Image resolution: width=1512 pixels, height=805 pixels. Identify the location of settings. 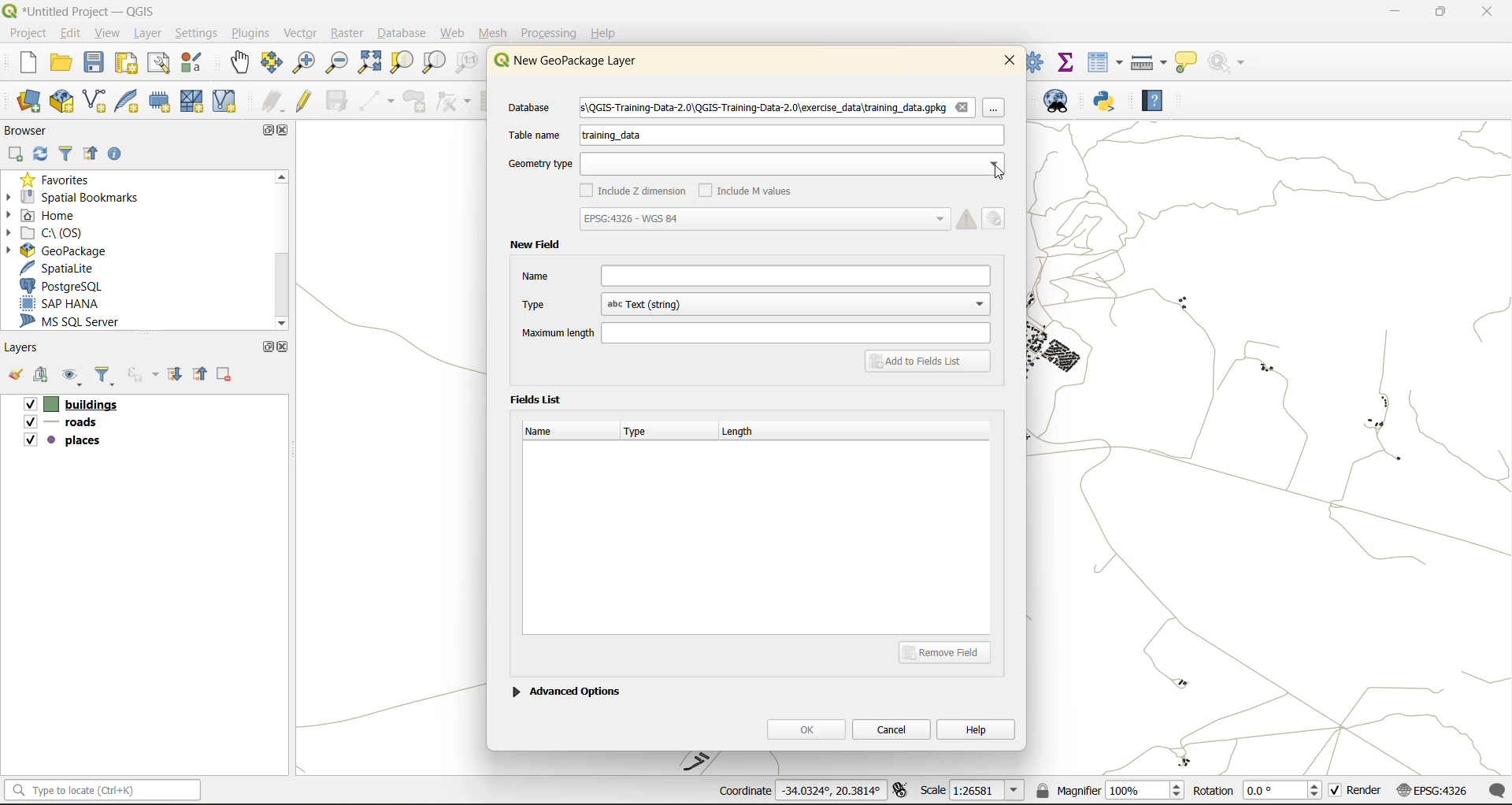
(197, 33).